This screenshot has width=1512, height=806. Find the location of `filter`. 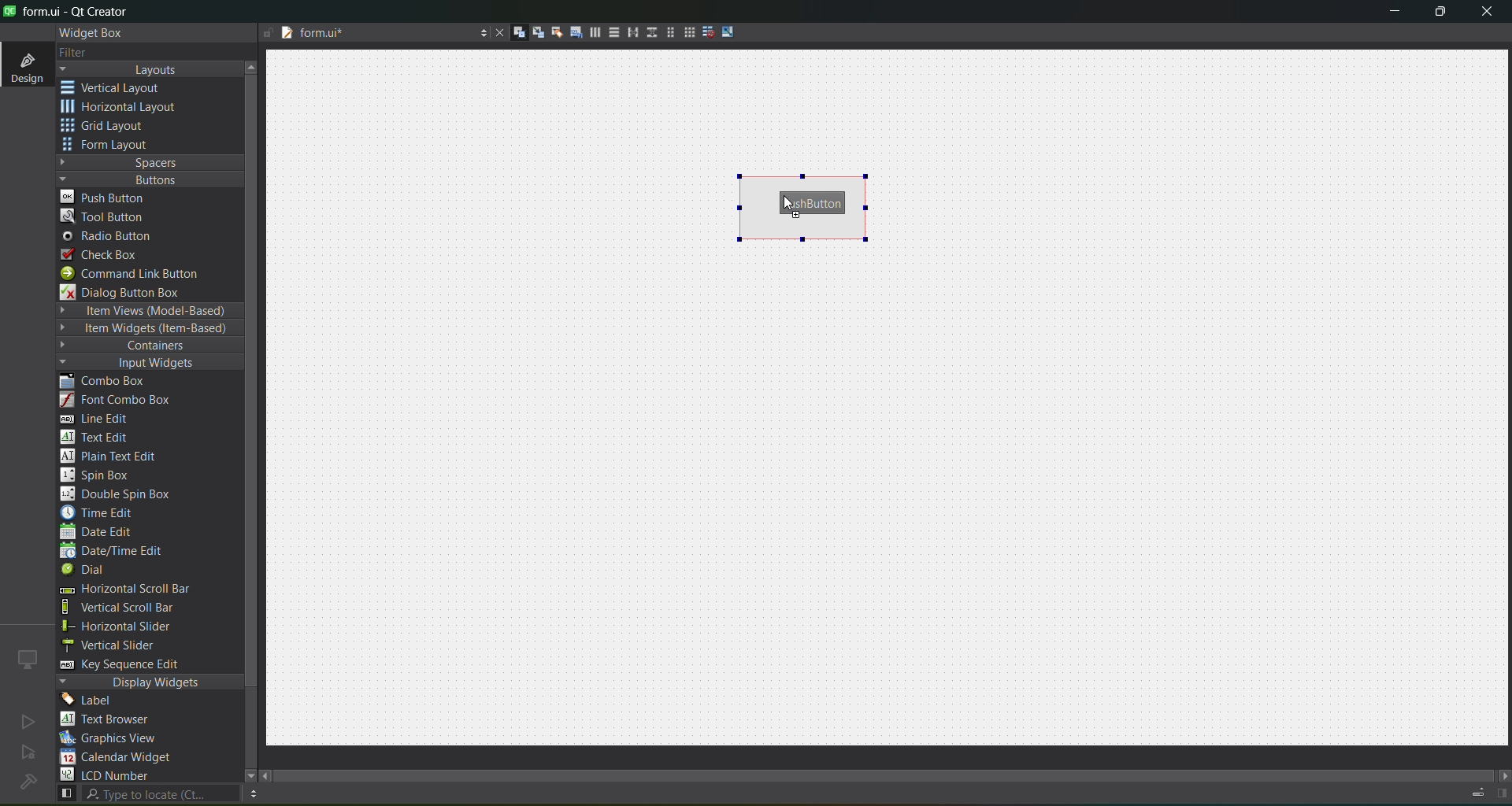

filter is located at coordinates (85, 54).